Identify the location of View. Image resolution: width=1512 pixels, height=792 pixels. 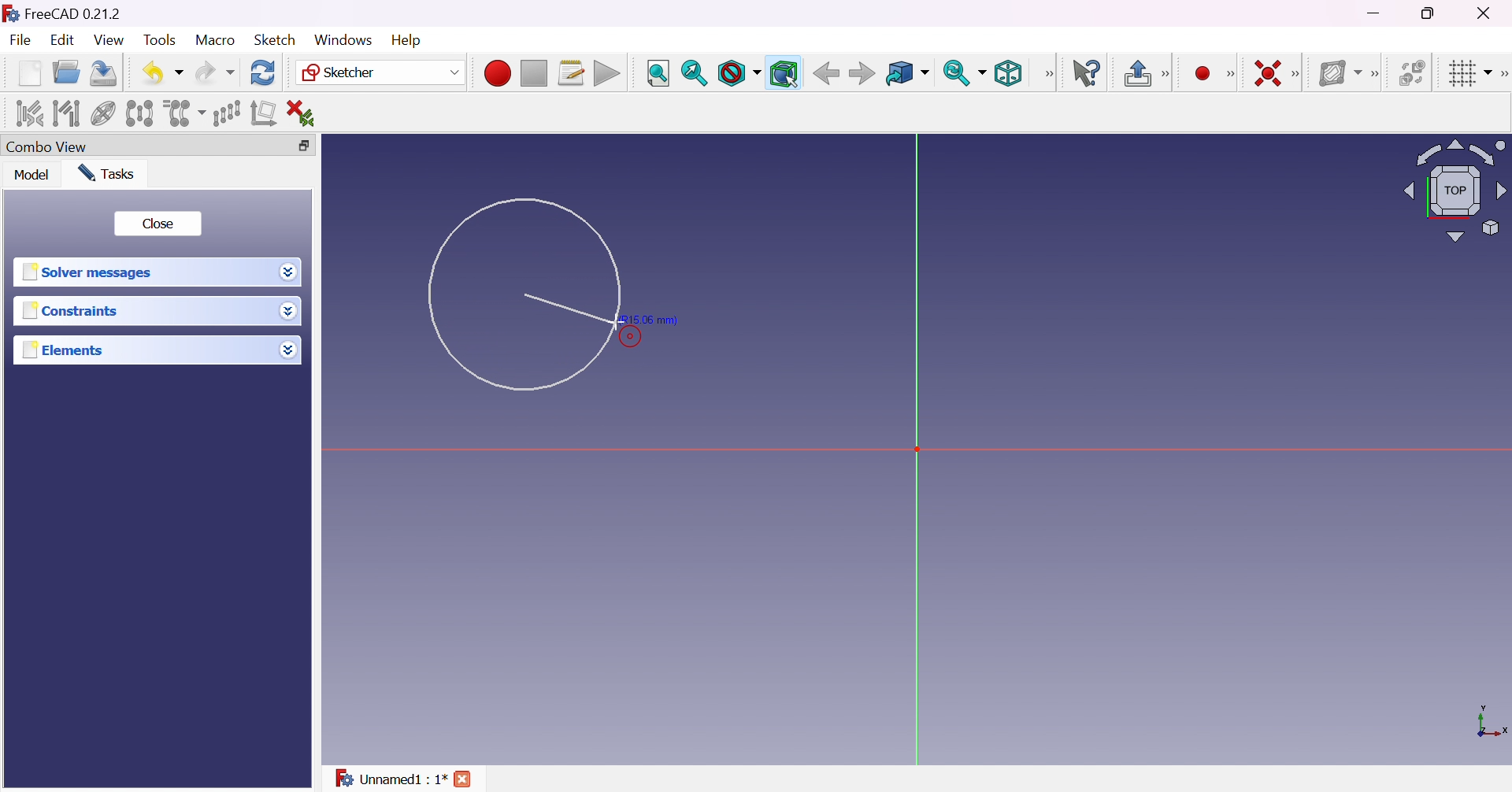
(110, 41).